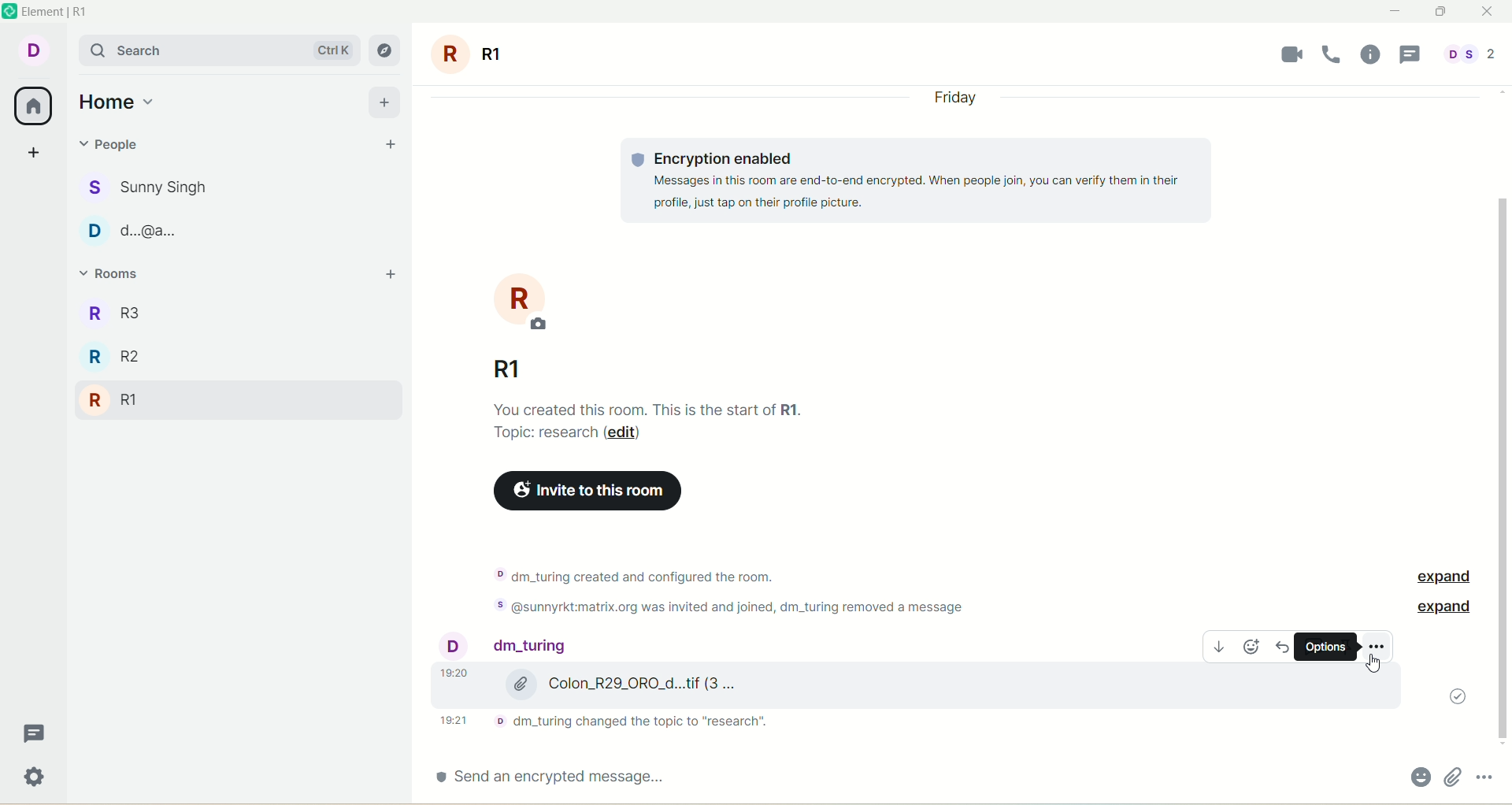  I want to click on day, so click(957, 101).